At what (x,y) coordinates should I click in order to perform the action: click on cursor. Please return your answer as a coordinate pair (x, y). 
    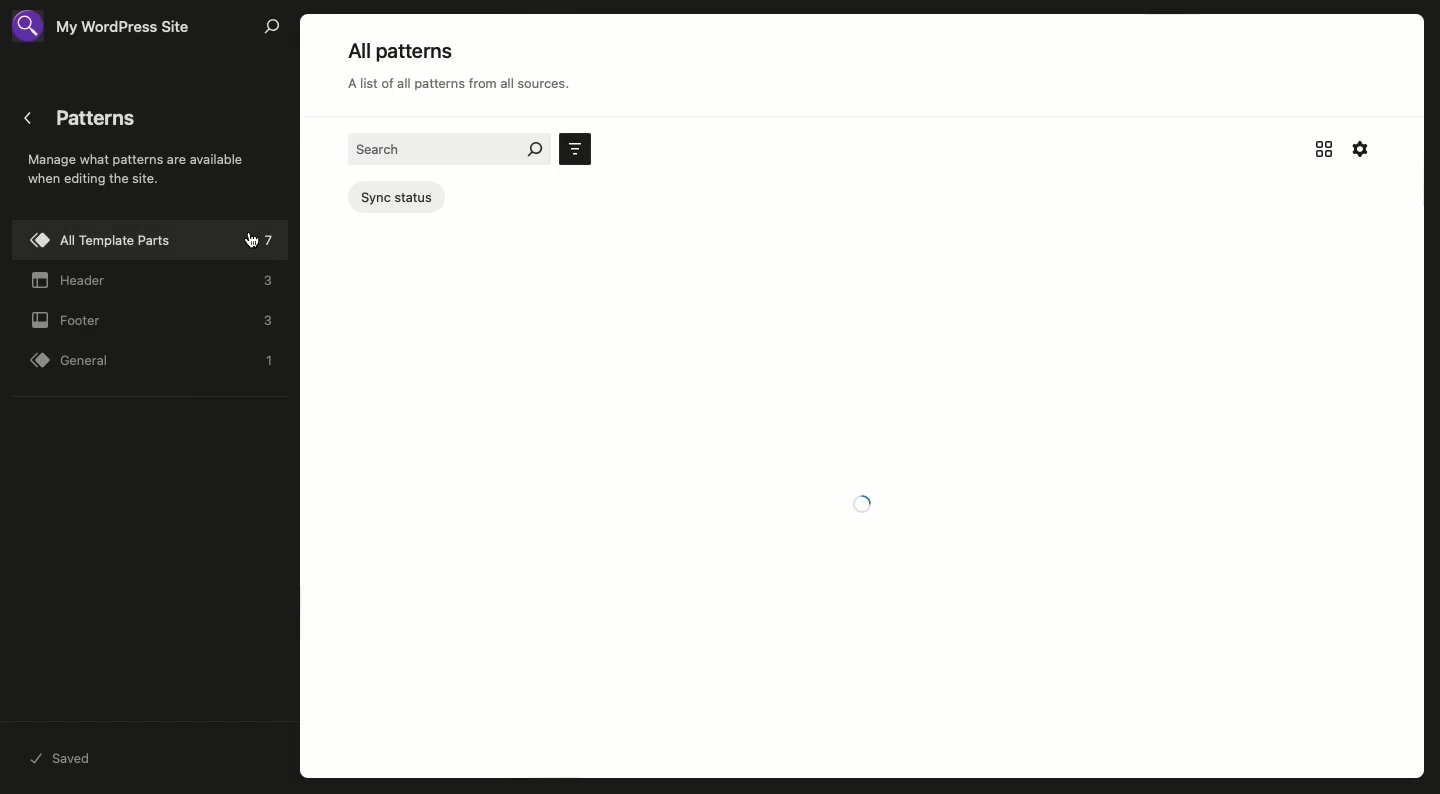
    Looking at the image, I should click on (253, 241).